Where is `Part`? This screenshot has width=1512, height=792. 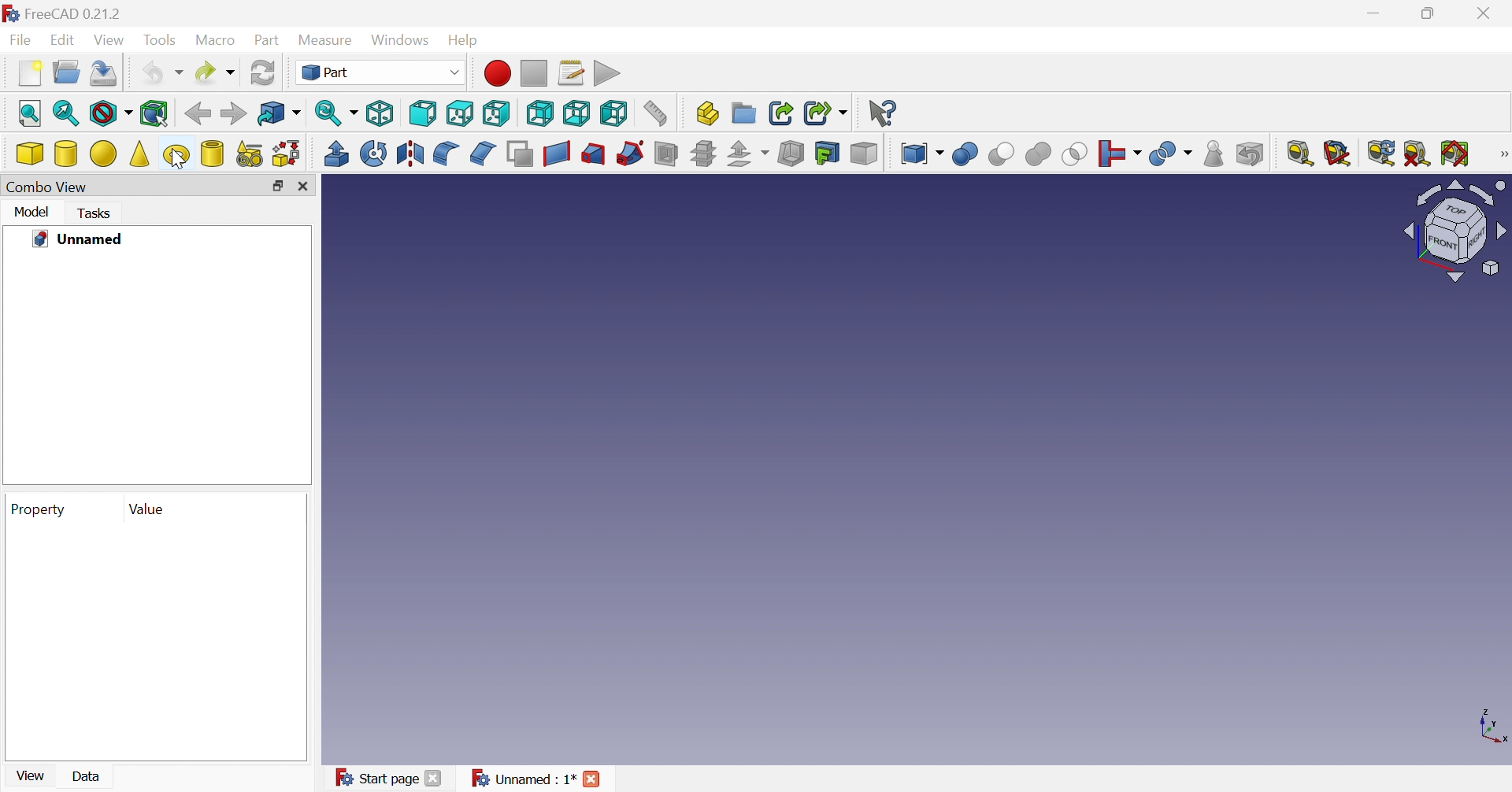 Part is located at coordinates (380, 73).